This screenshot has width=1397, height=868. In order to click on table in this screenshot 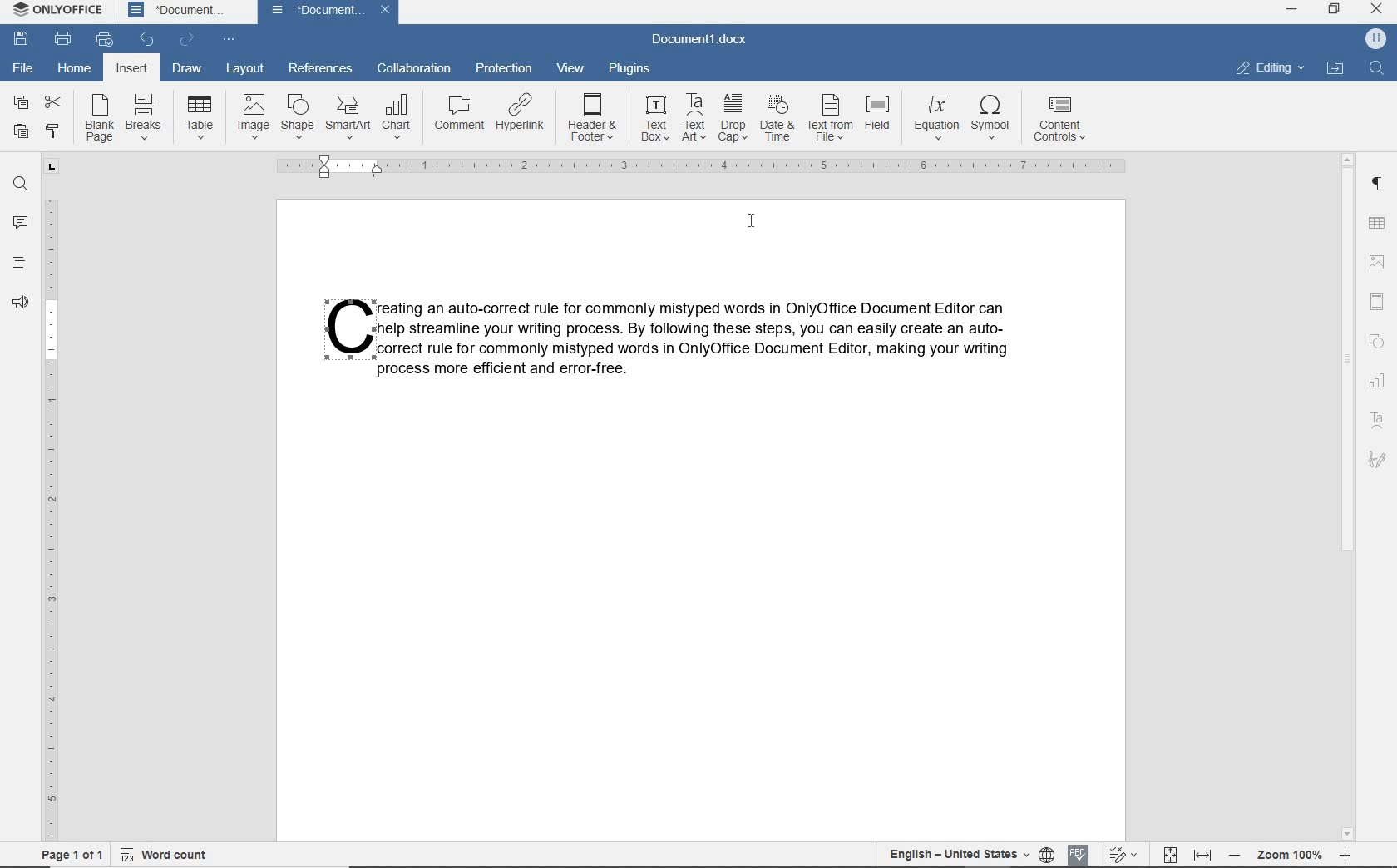, I will do `click(200, 116)`.